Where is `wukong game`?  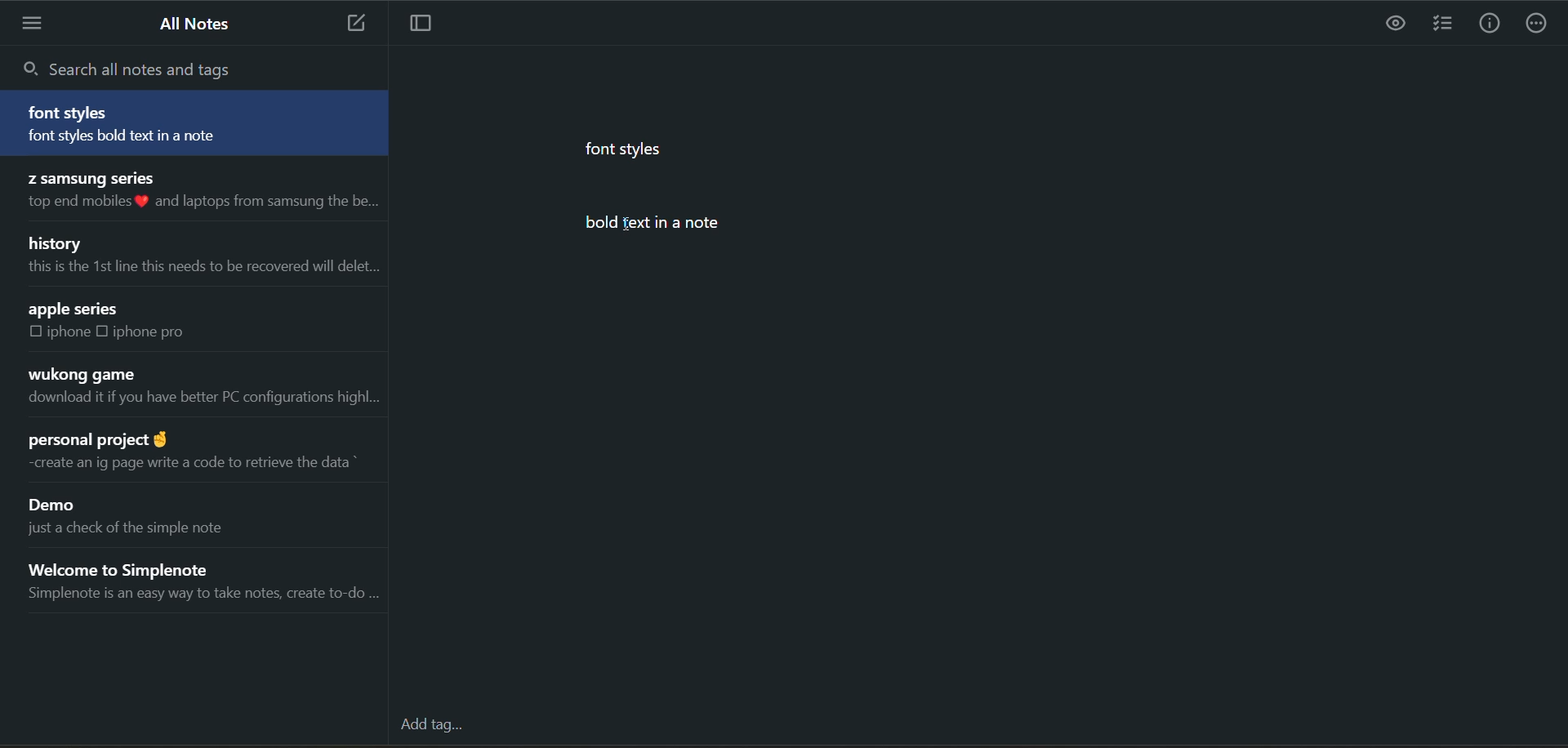
wukong game is located at coordinates (80, 375).